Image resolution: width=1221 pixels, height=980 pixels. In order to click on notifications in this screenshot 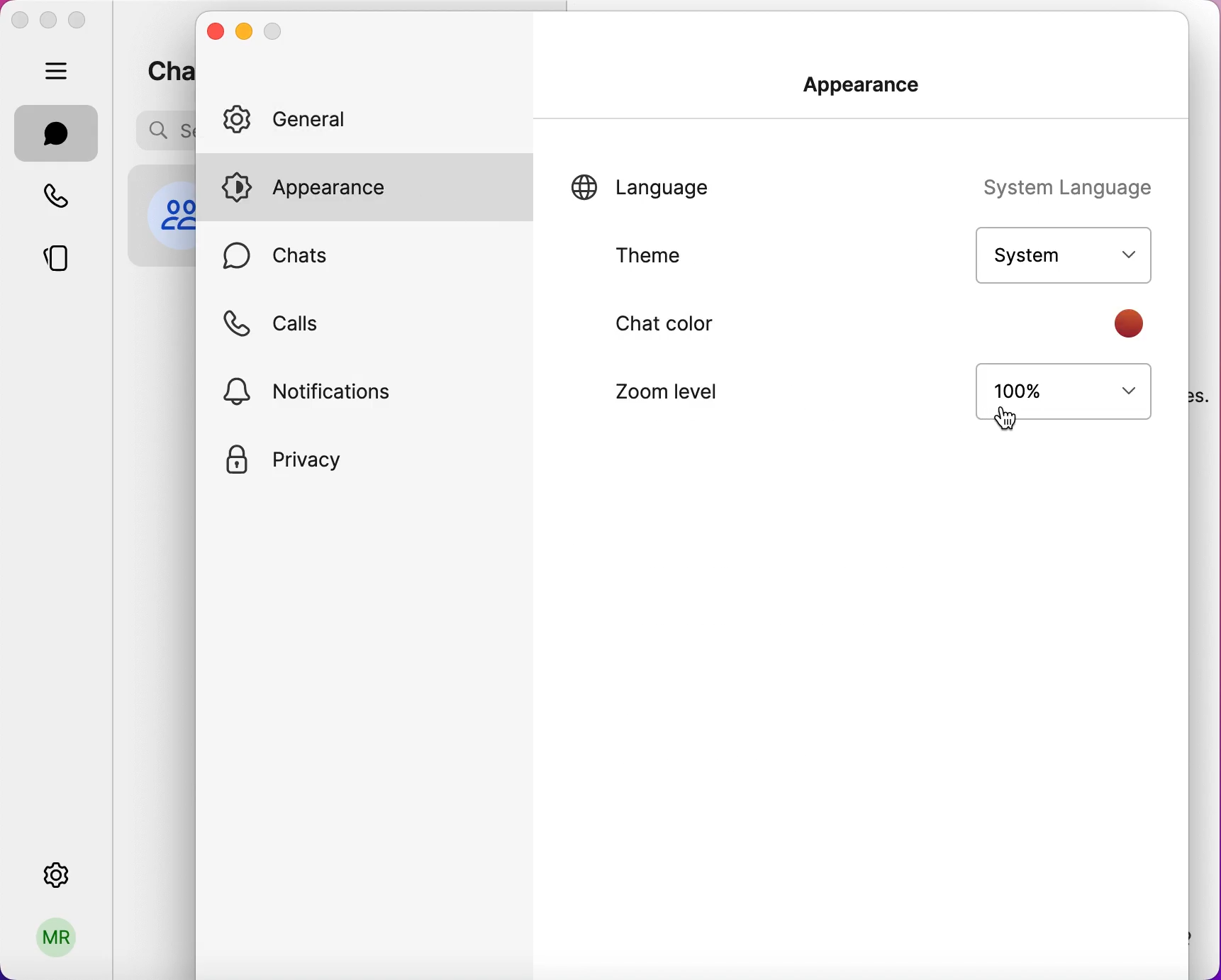, I will do `click(327, 393)`.